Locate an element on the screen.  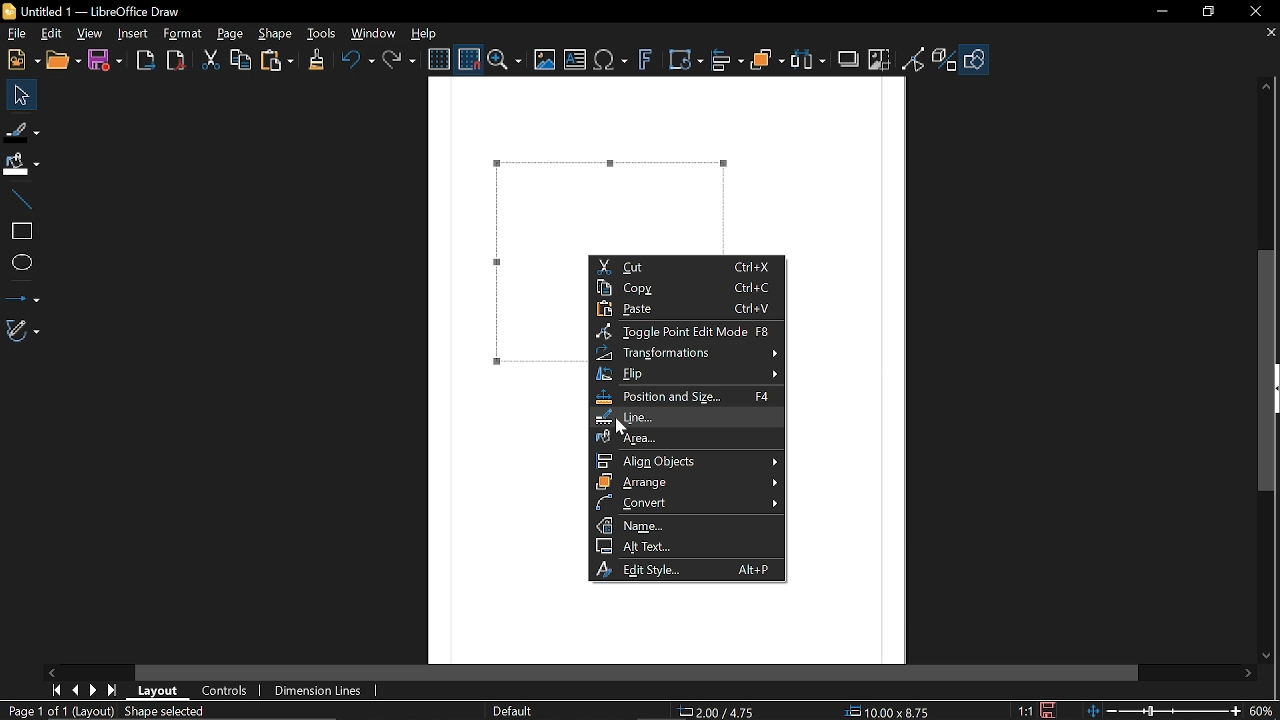
Toggle point edit mode is located at coordinates (683, 332).